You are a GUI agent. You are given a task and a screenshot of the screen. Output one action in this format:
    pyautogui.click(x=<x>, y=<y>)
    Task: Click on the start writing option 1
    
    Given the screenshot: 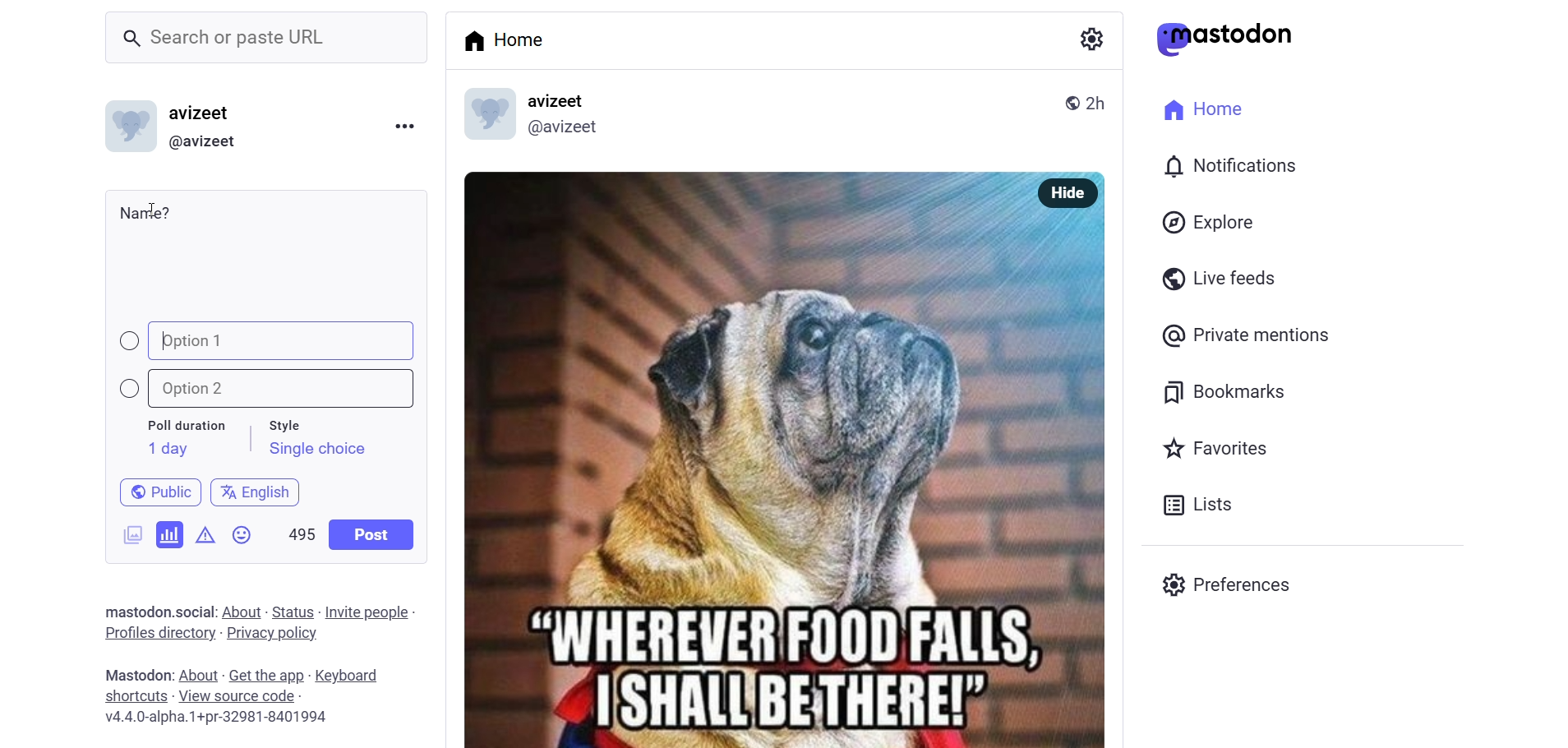 What is the action you would take?
    pyautogui.click(x=164, y=340)
    